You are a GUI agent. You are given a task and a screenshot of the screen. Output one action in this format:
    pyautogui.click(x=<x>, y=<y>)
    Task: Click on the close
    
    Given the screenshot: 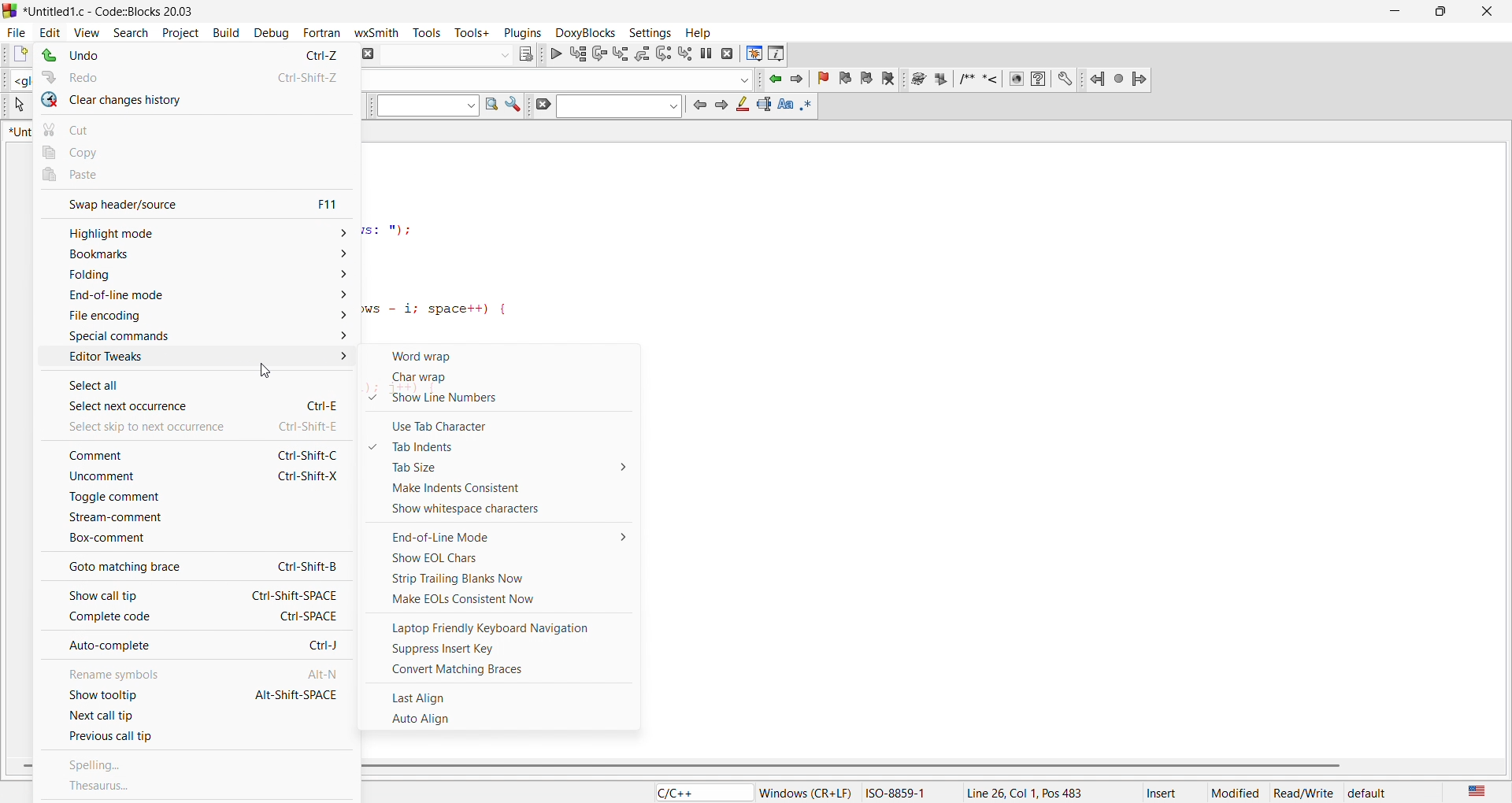 What is the action you would take?
    pyautogui.click(x=1489, y=9)
    